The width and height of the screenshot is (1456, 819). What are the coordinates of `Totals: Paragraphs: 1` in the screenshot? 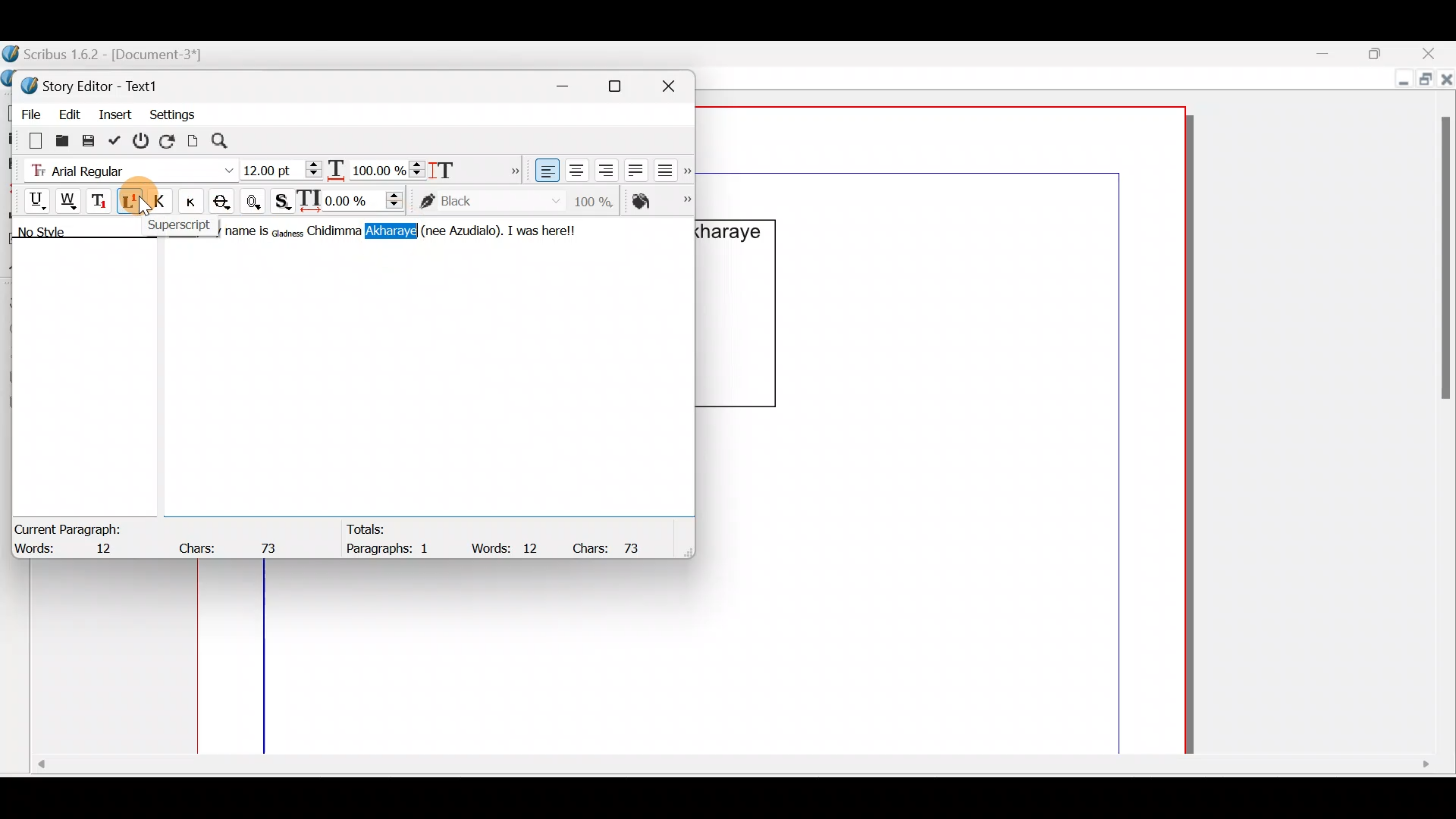 It's located at (390, 538).